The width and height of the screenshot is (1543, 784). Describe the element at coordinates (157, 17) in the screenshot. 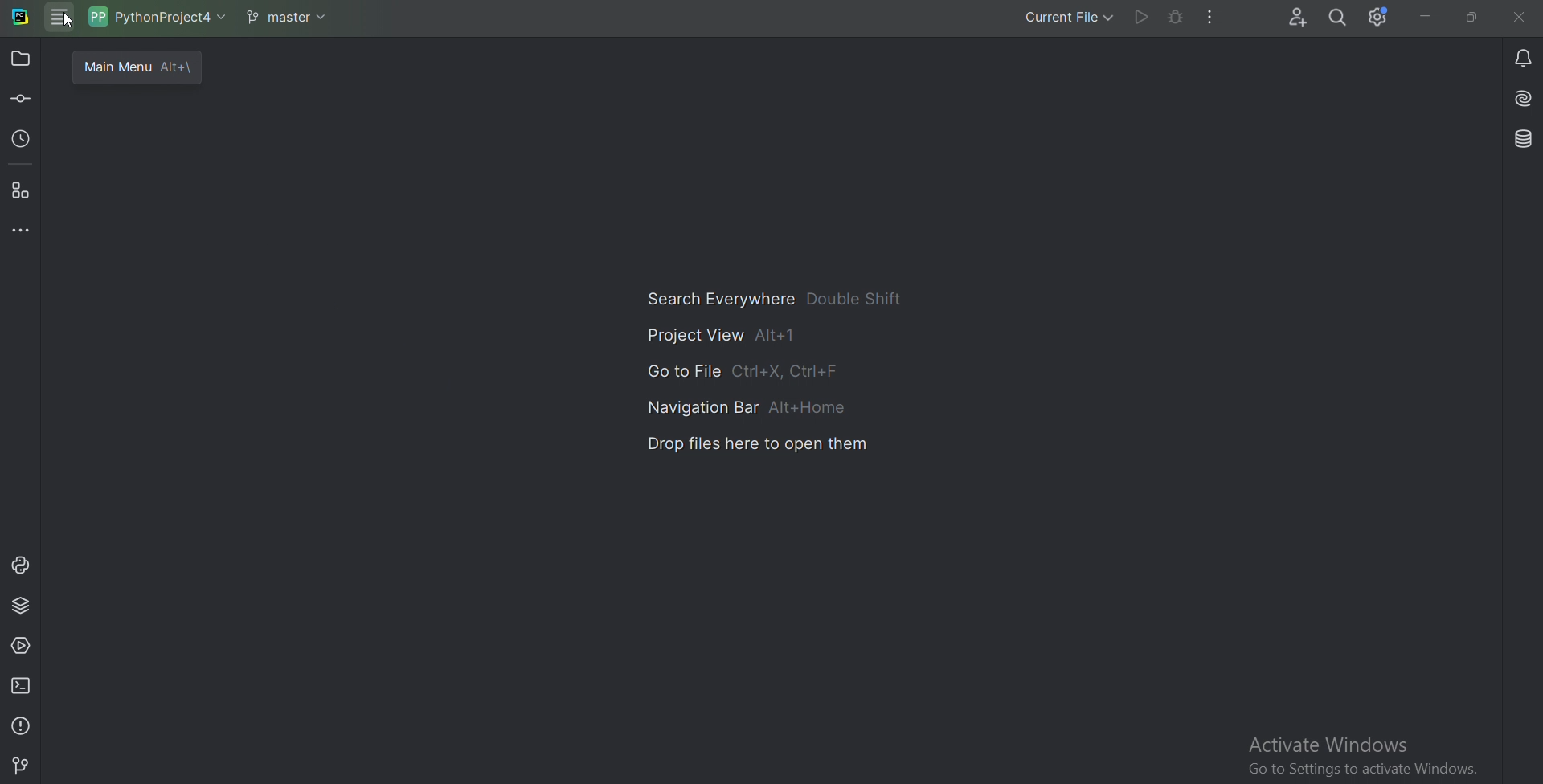

I see `project name` at that location.